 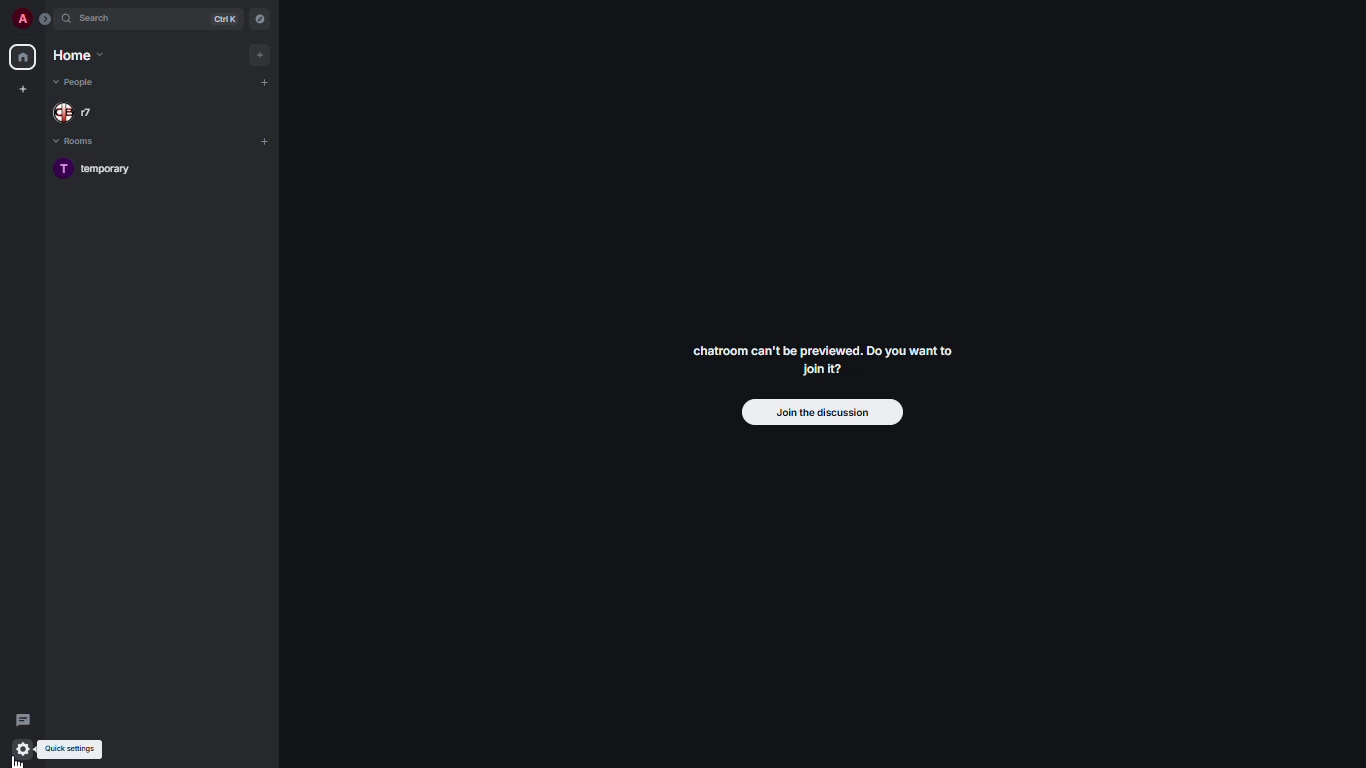 What do you see at coordinates (71, 748) in the screenshot?
I see `quick settings` at bounding box center [71, 748].